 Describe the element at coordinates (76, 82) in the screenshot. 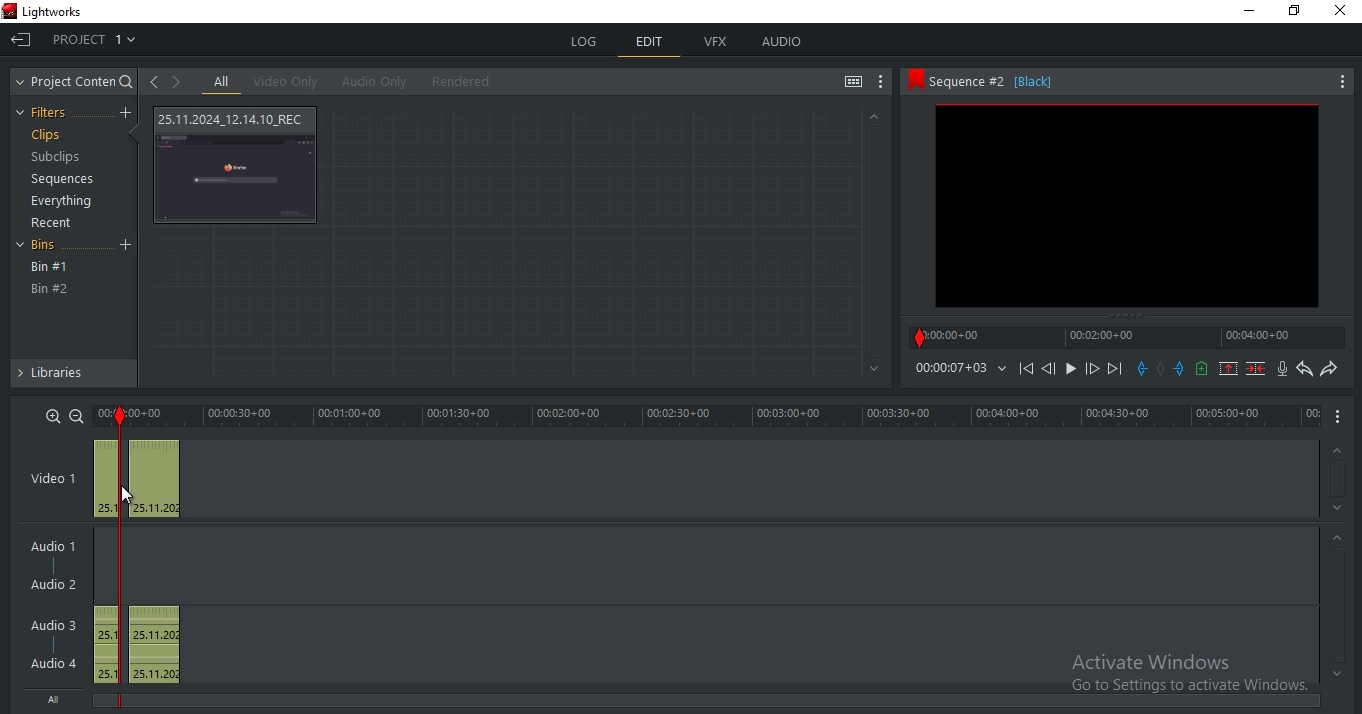

I see `project content` at that location.